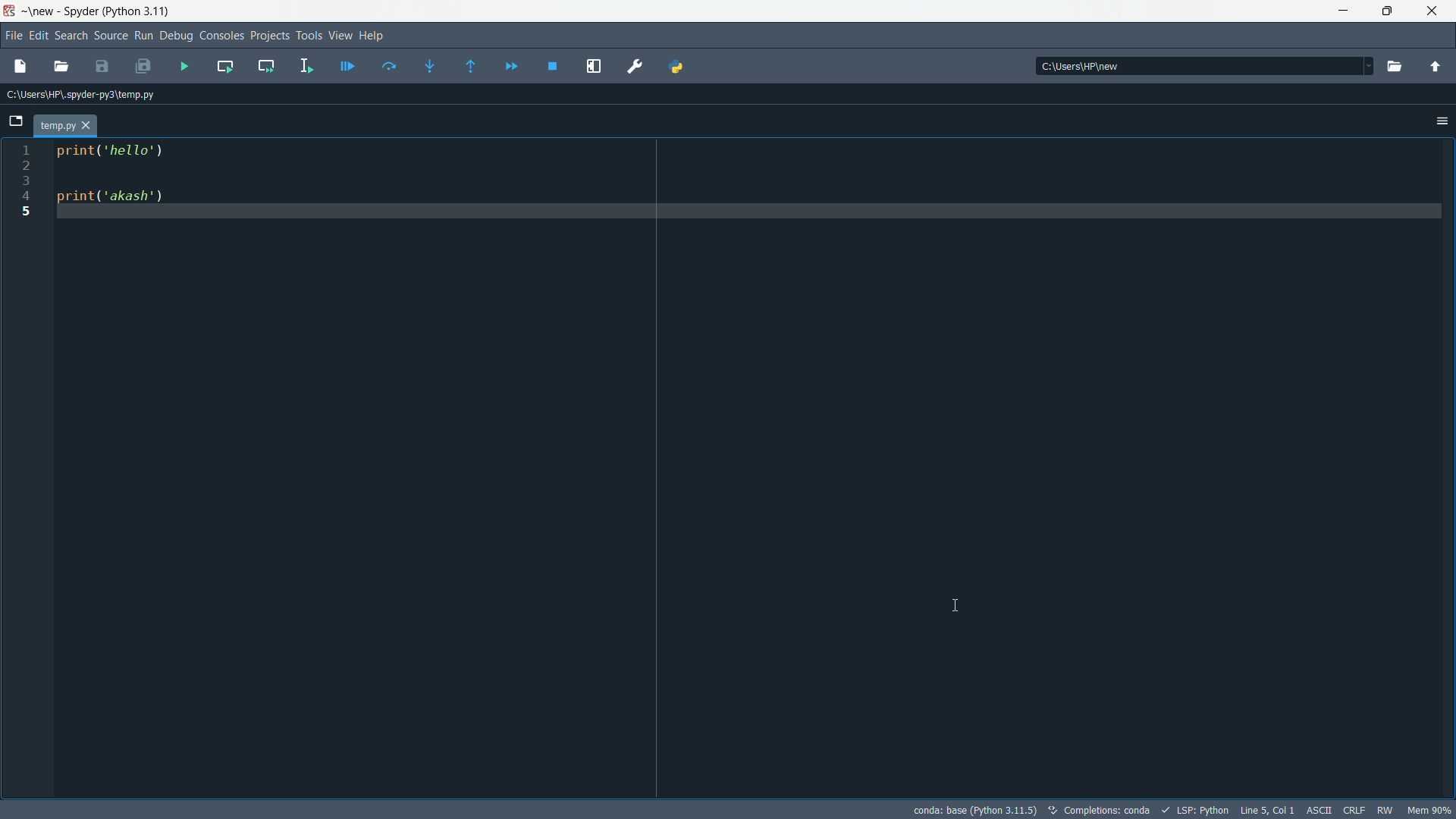 The height and width of the screenshot is (819, 1456). I want to click on app icon, so click(10, 10).